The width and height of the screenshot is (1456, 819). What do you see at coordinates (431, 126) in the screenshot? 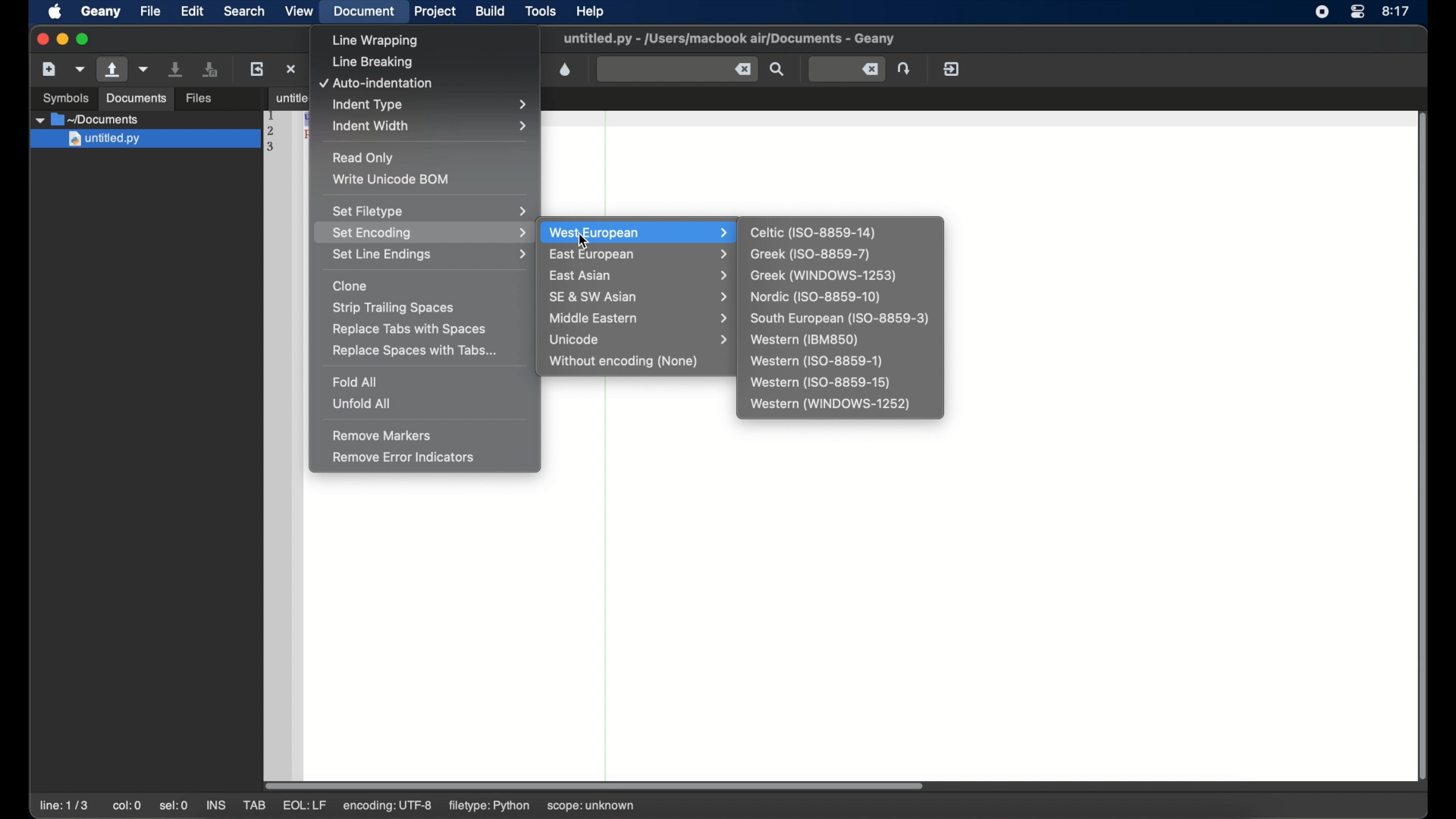
I see `indent width` at bounding box center [431, 126].